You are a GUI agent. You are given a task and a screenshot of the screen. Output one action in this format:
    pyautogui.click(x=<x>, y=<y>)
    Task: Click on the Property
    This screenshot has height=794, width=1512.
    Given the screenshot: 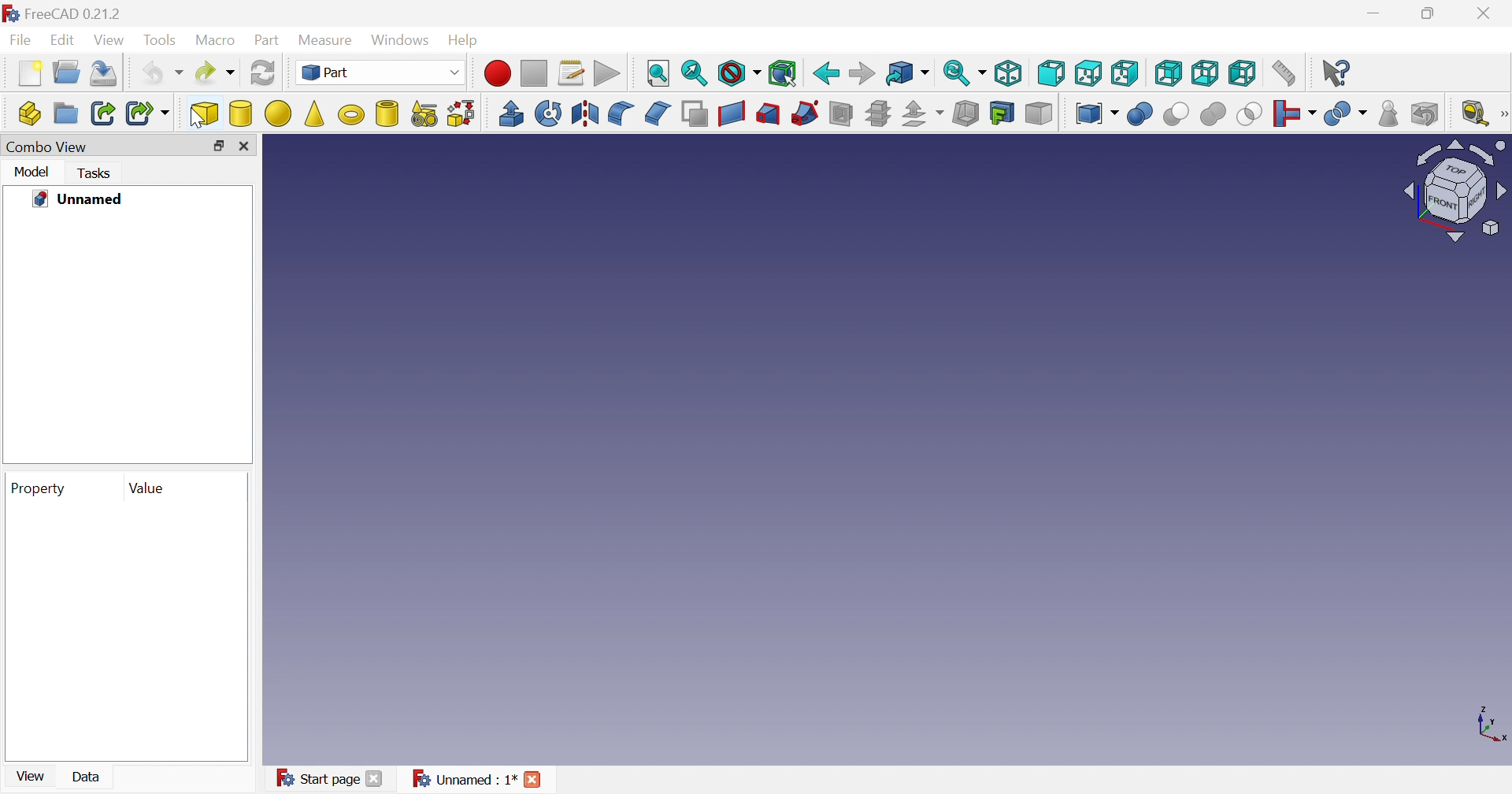 What is the action you would take?
    pyautogui.click(x=35, y=488)
    